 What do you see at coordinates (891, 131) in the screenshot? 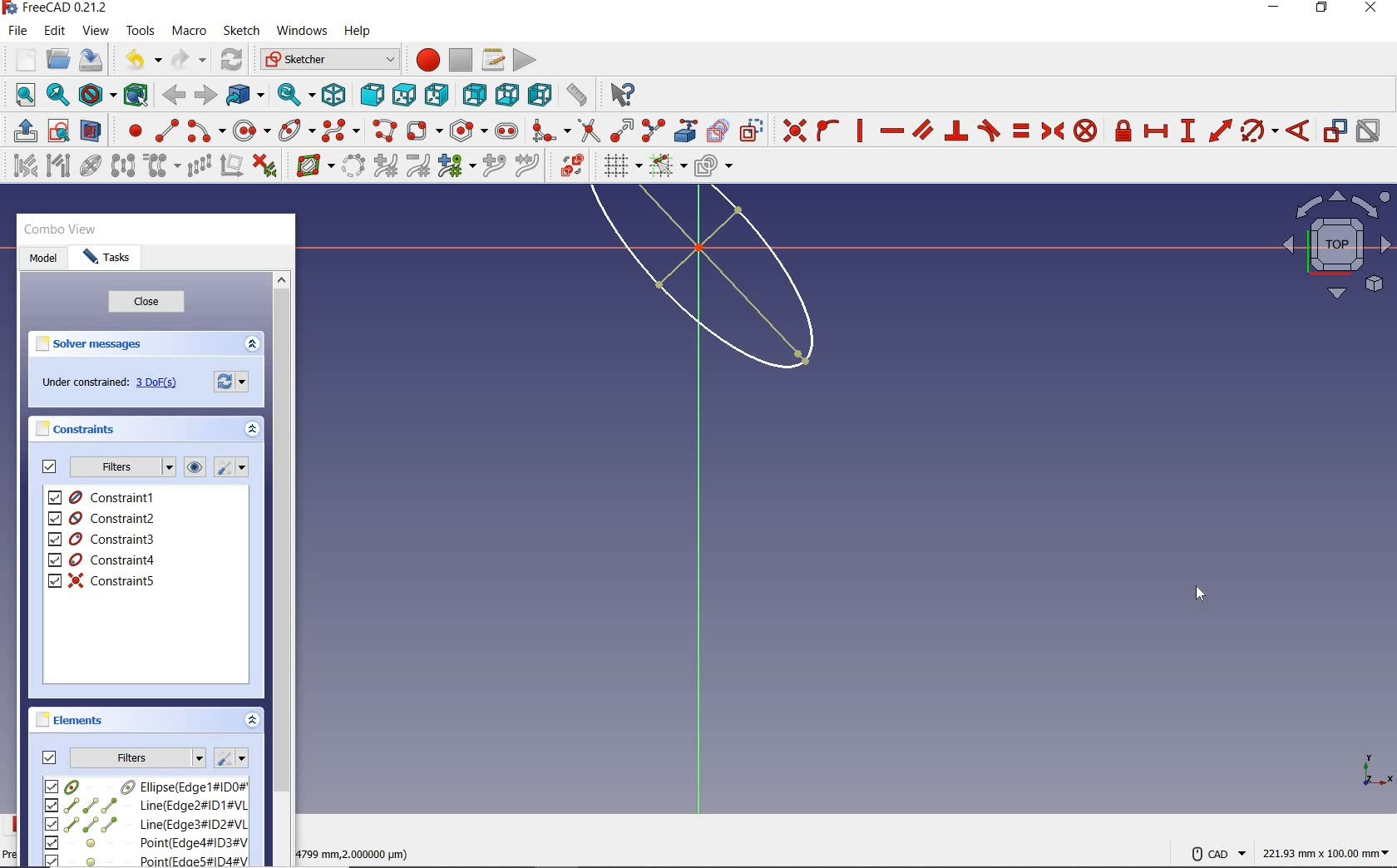
I see `constrain horizontally` at bounding box center [891, 131].